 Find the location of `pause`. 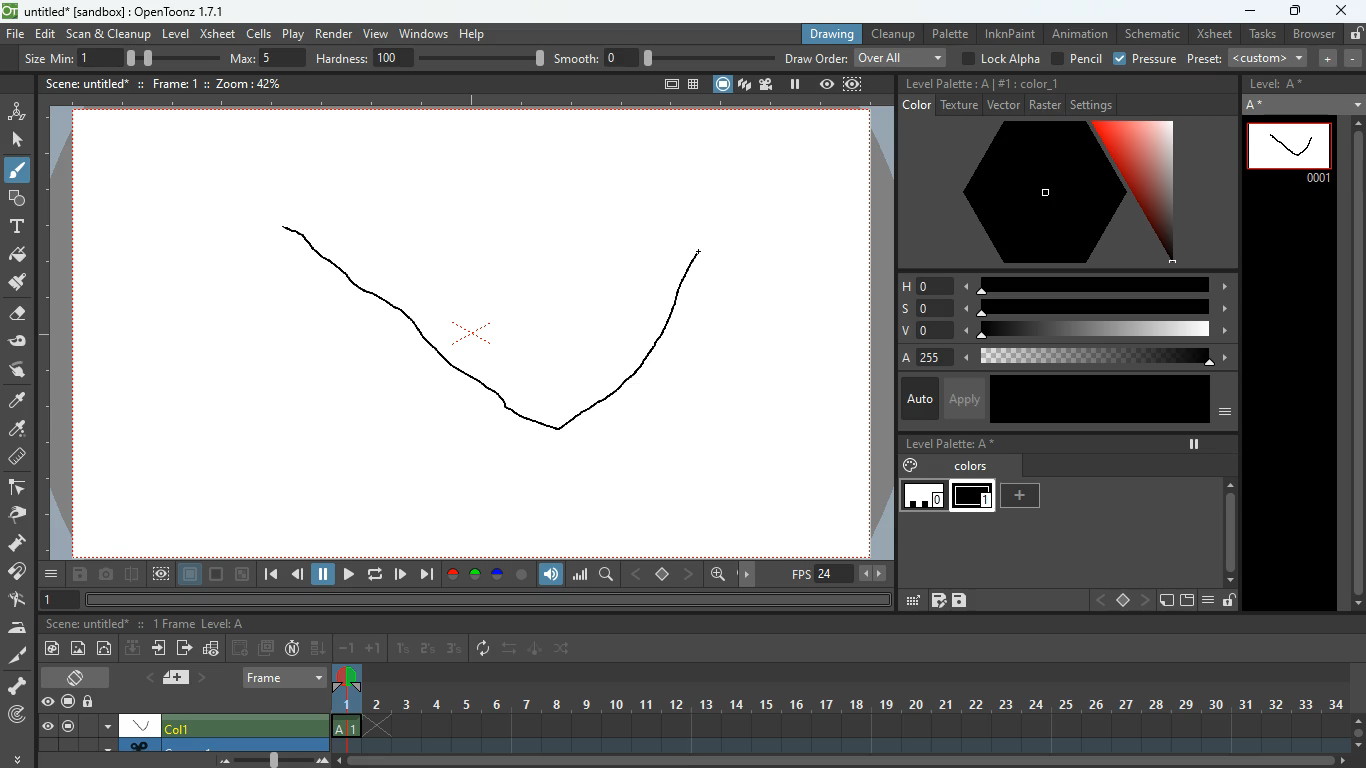

pause is located at coordinates (67, 726).